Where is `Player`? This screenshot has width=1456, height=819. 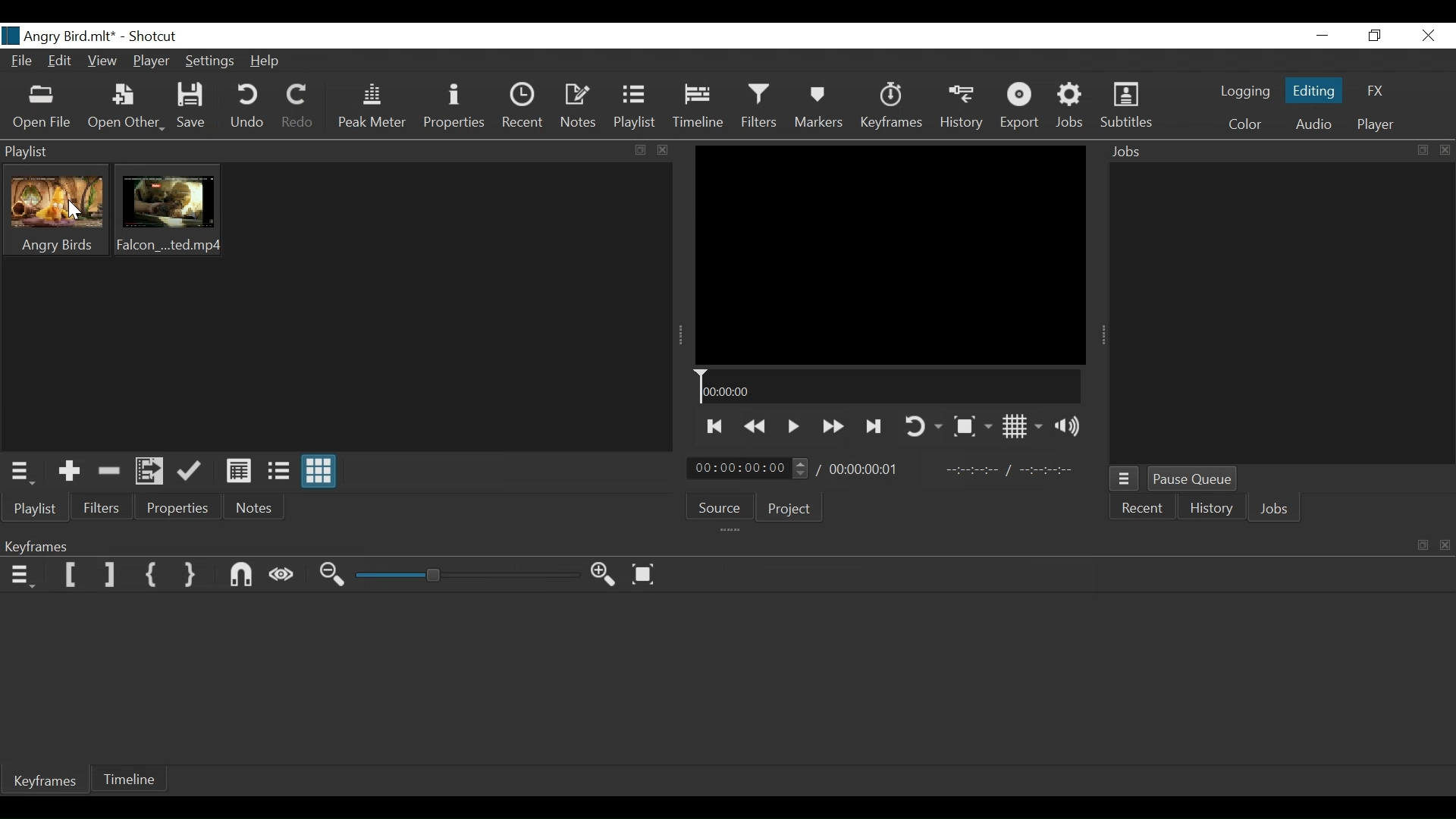
Player is located at coordinates (1376, 124).